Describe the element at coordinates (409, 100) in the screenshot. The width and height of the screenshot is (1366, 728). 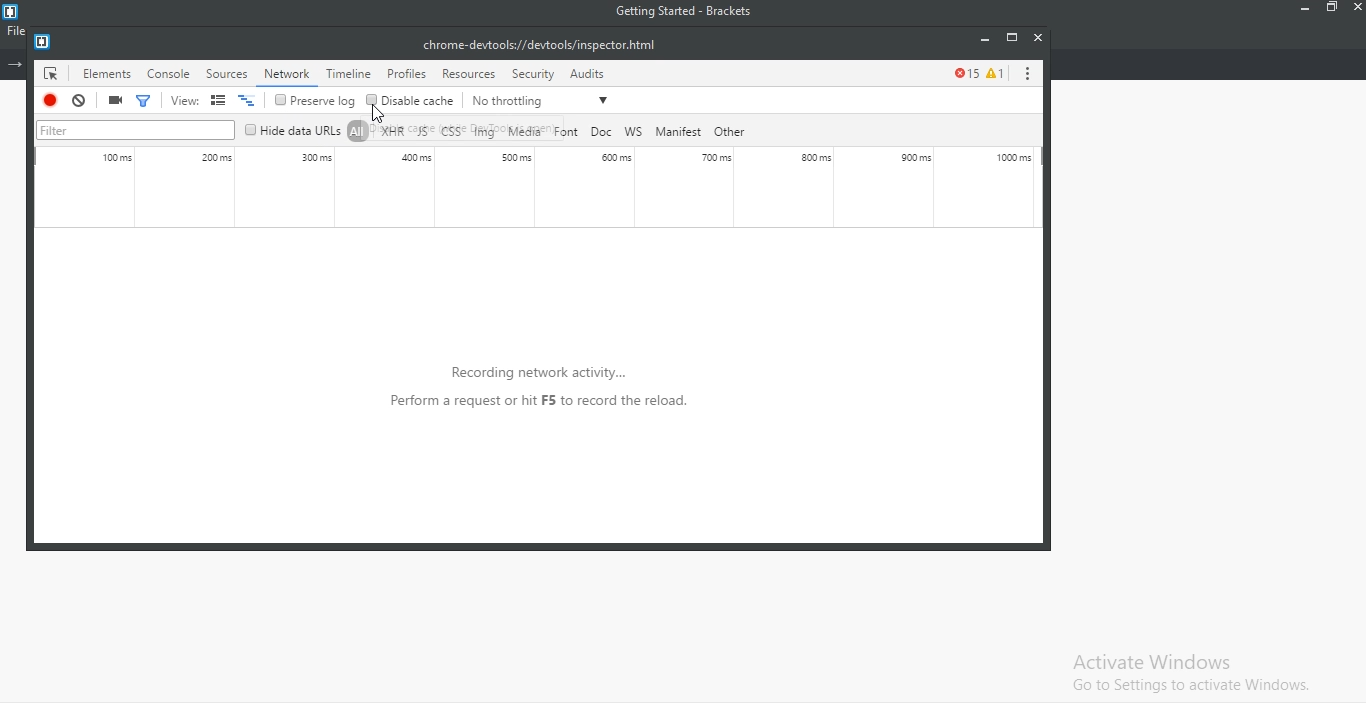
I see `disable cache` at that location.